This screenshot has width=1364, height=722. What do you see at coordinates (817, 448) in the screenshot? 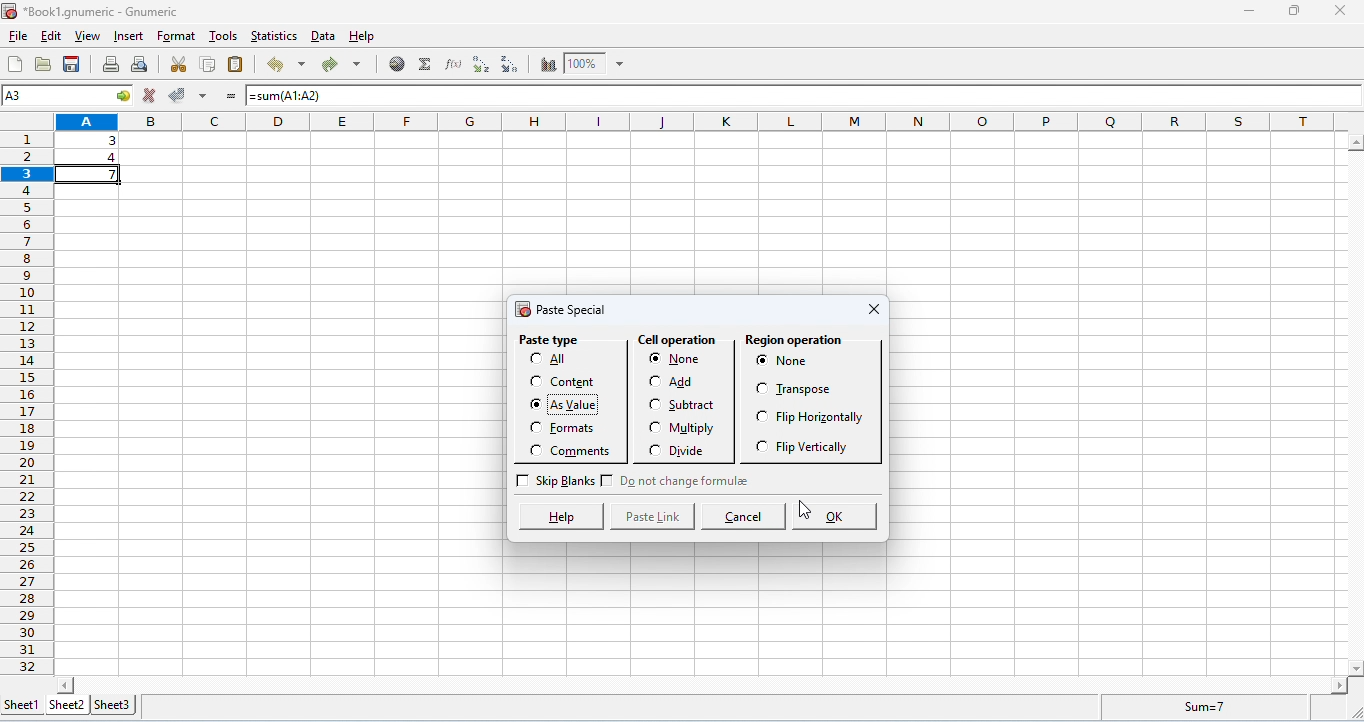
I see `flip vertically` at bounding box center [817, 448].